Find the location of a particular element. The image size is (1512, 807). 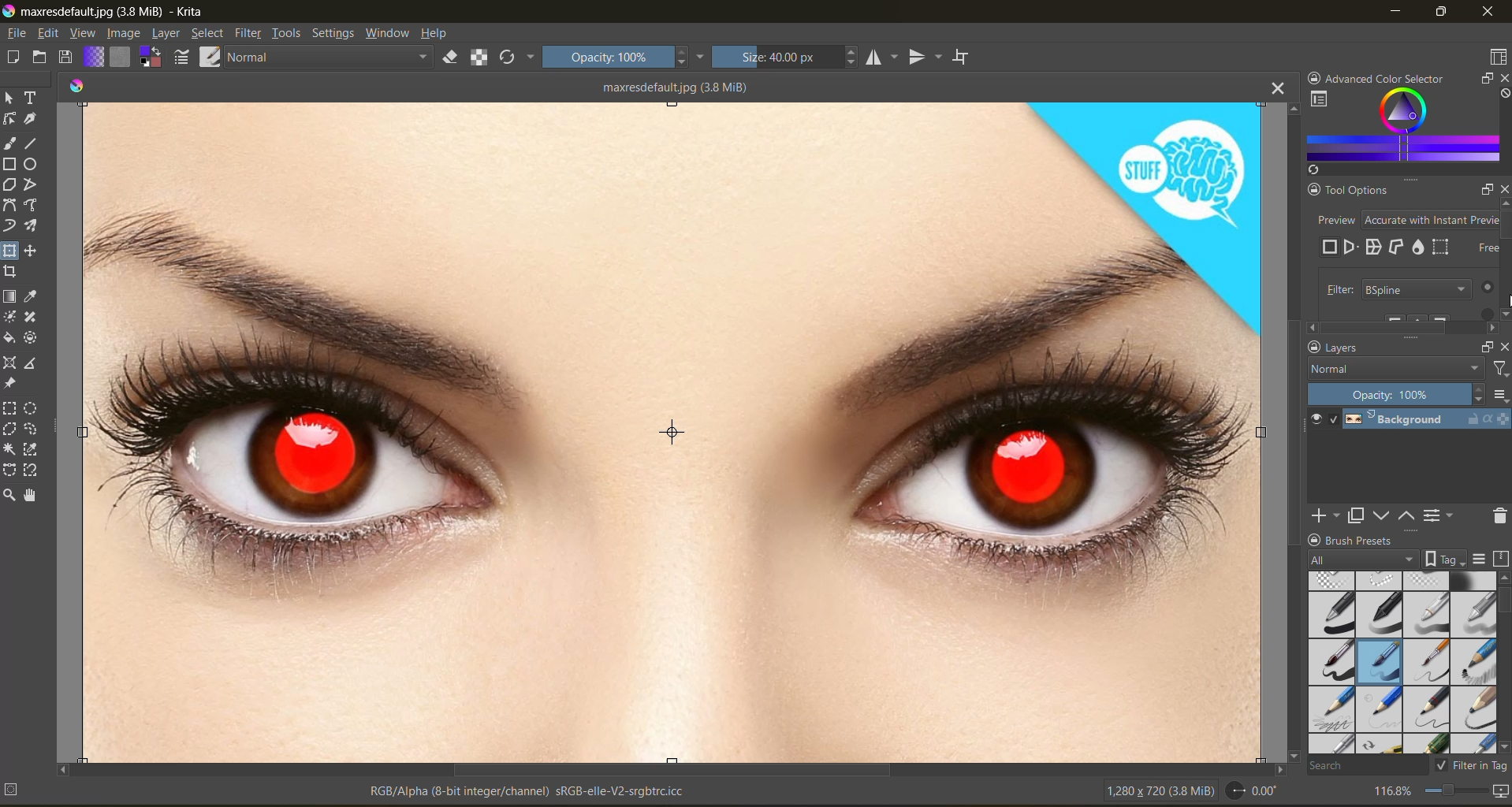

Layers is located at coordinates (1354, 345).